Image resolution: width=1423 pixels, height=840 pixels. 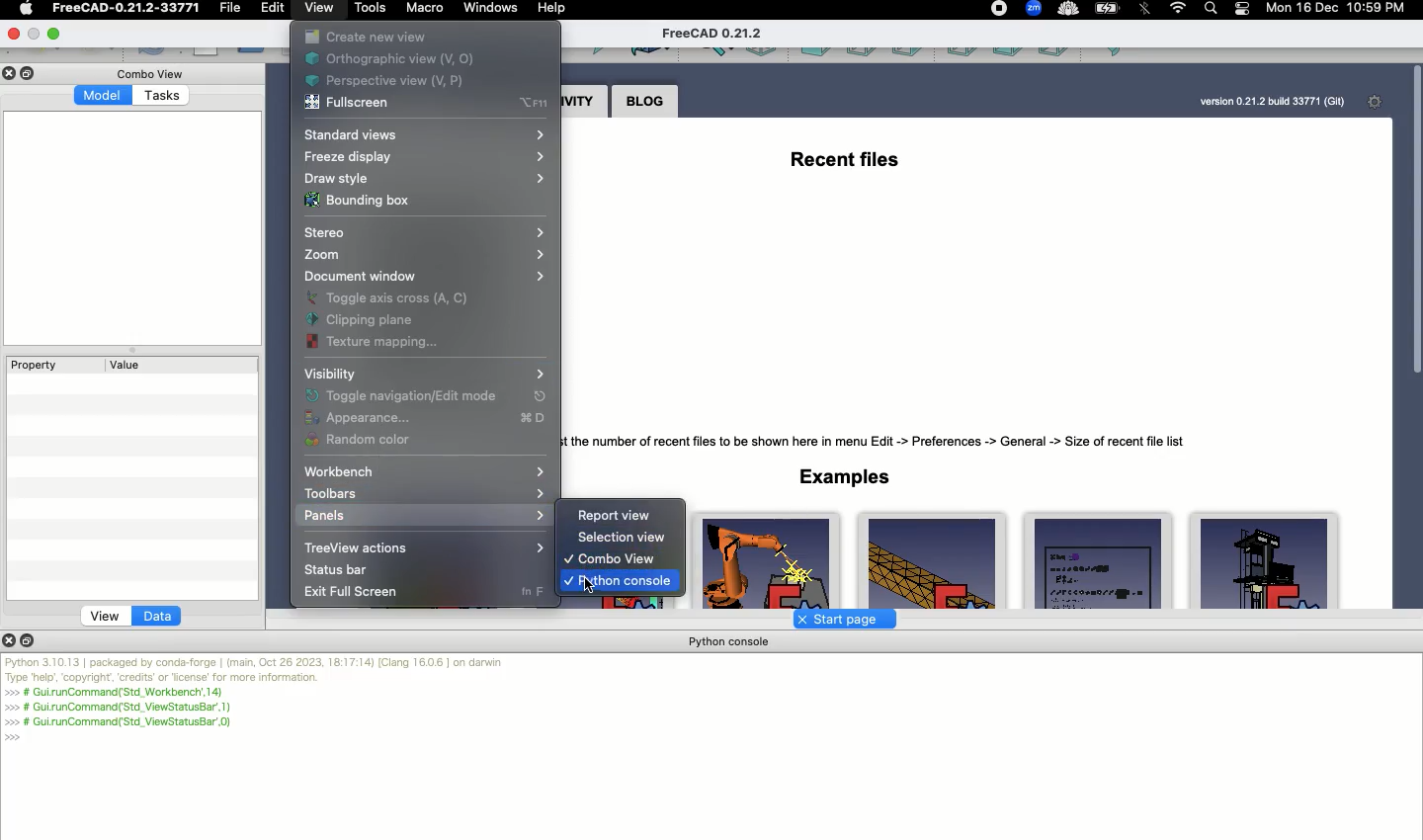 What do you see at coordinates (422, 517) in the screenshot?
I see `Panels` at bounding box center [422, 517].